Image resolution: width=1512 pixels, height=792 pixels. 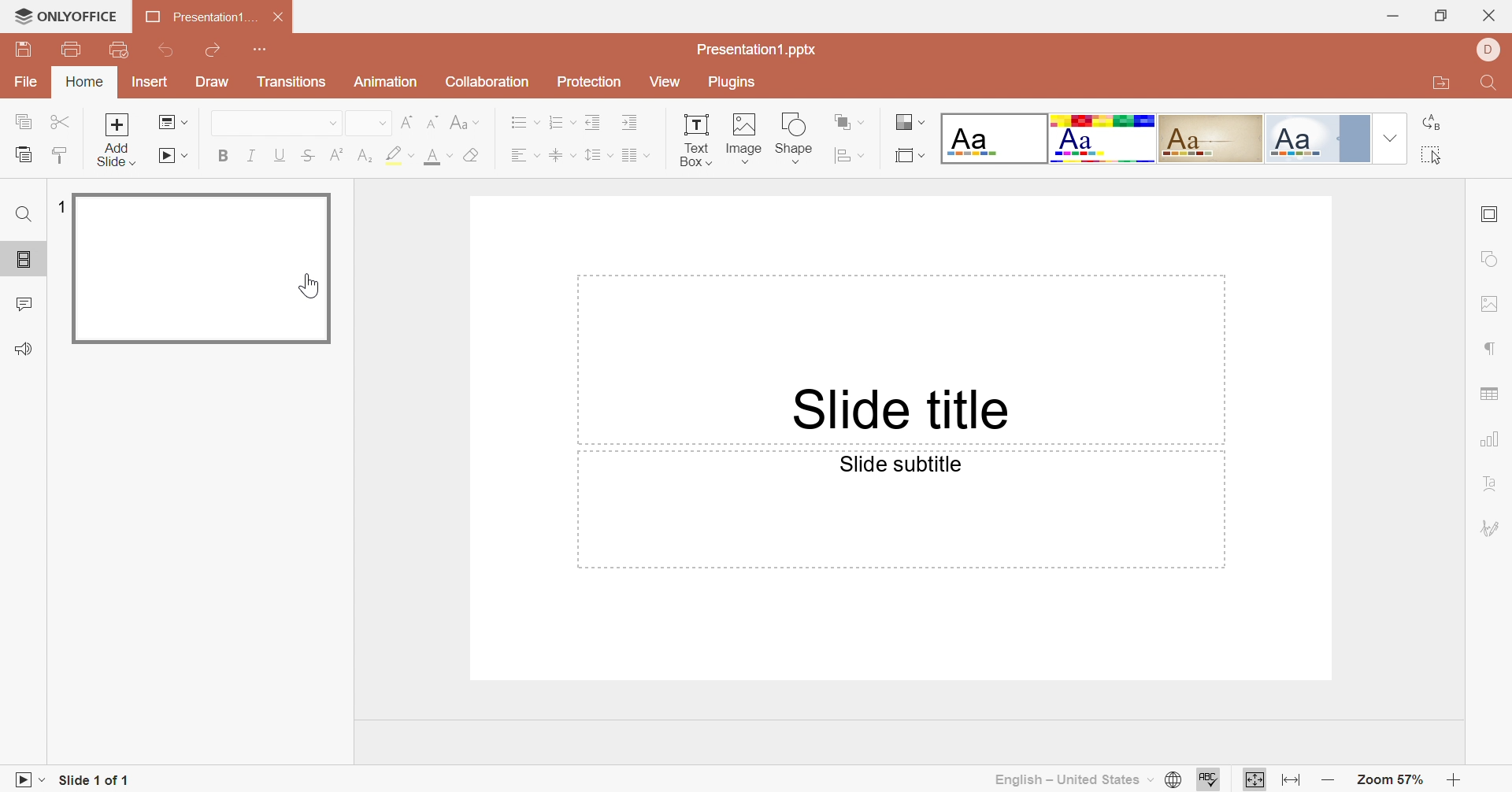 What do you see at coordinates (387, 82) in the screenshot?
I see `Animation` at bounding box center [387, 82].